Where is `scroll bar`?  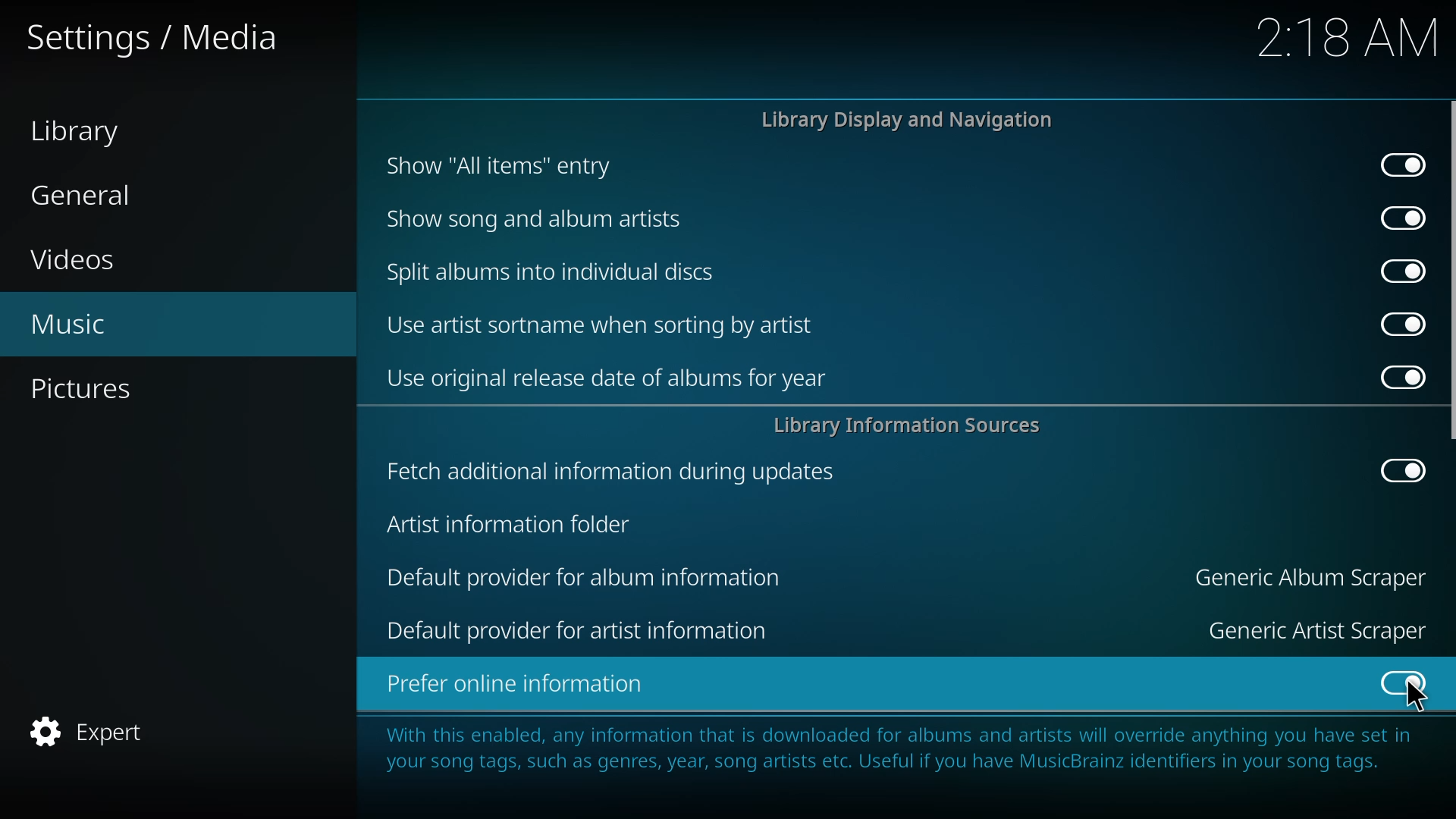 scroll bar is located at coordinates (1453, 268).